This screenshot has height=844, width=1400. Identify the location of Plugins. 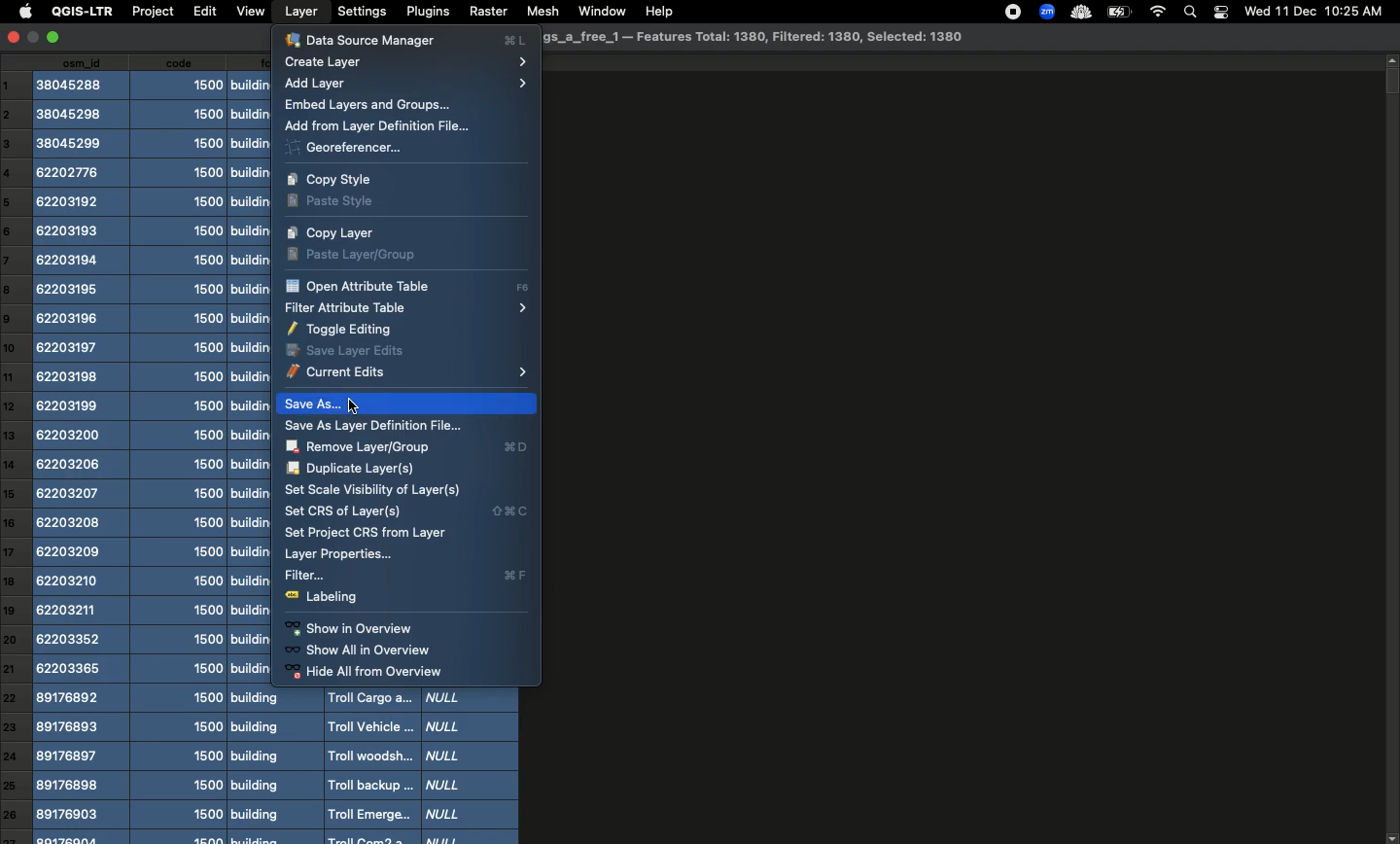
(426, 11).